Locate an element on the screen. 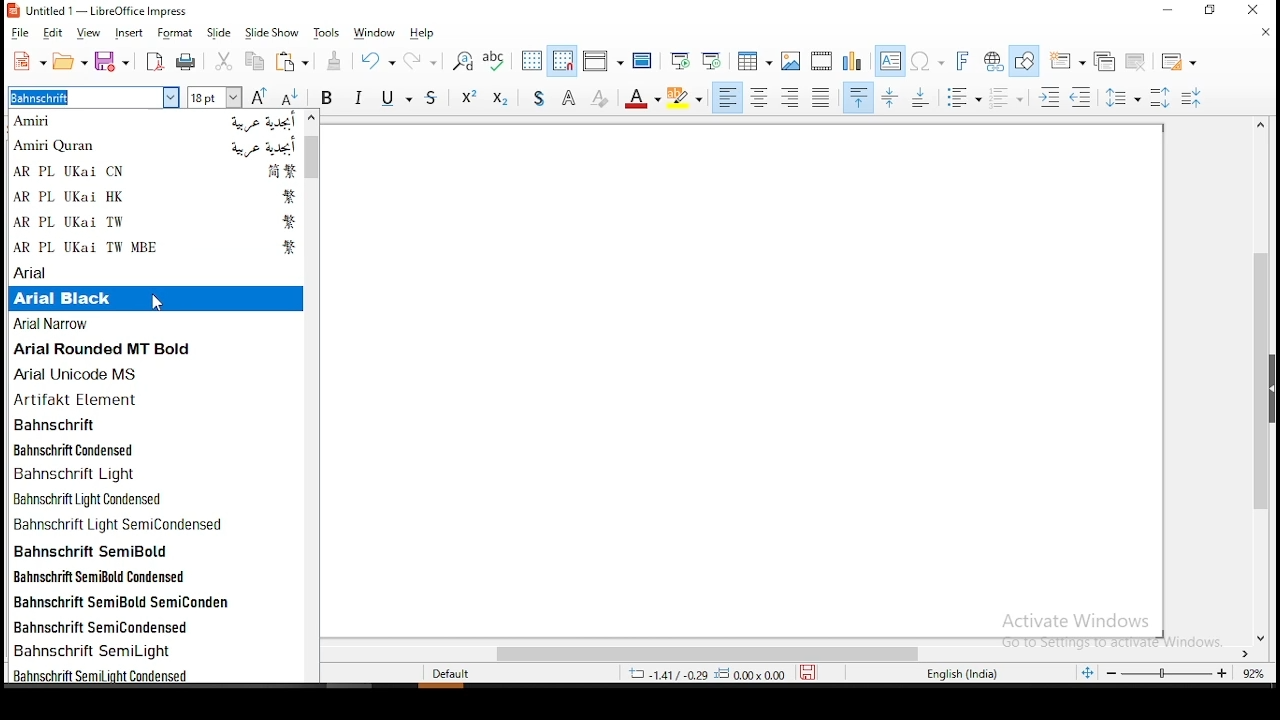 The image size is (1280, 720). bahnschrift light semicondensed is located at coordinates (157, 523).